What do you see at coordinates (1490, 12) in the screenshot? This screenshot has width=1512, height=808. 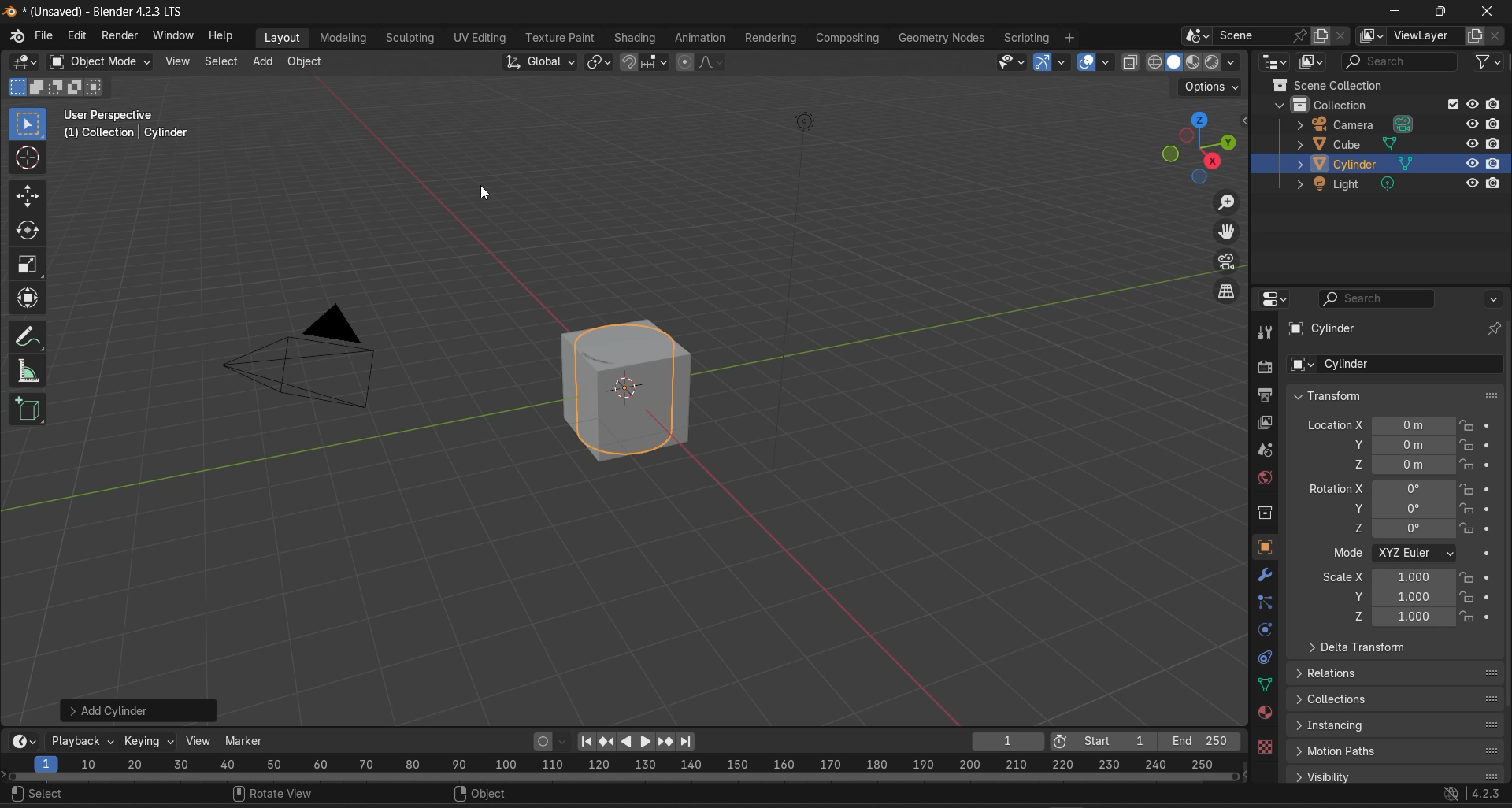 I see `close` at bounding box center [1490, 12].